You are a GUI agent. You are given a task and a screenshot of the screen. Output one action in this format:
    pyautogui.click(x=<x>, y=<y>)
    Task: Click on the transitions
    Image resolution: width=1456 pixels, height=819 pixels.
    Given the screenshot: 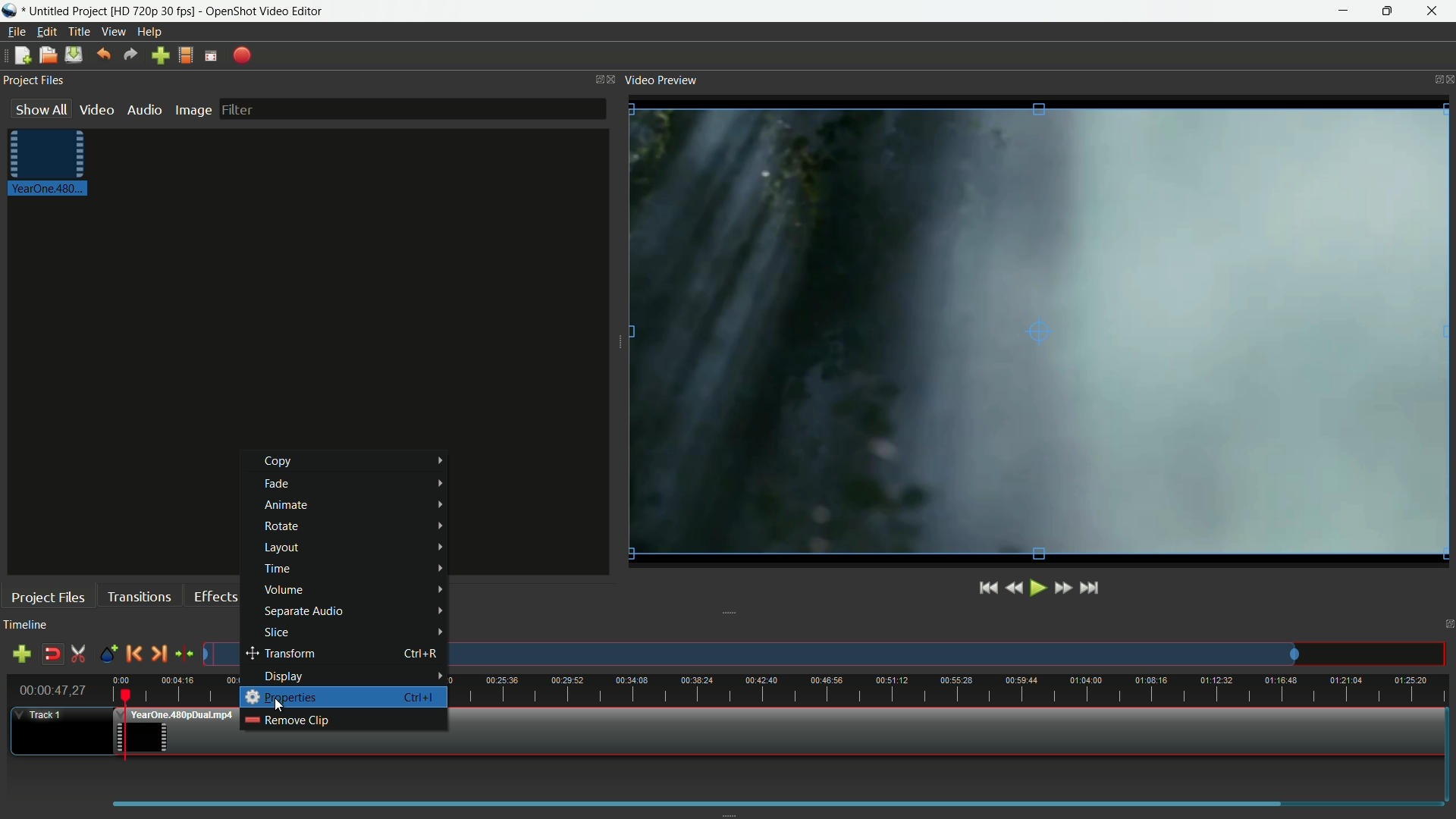 What is the action you would take?
    pyautogui.click(x=140, y=597)
    